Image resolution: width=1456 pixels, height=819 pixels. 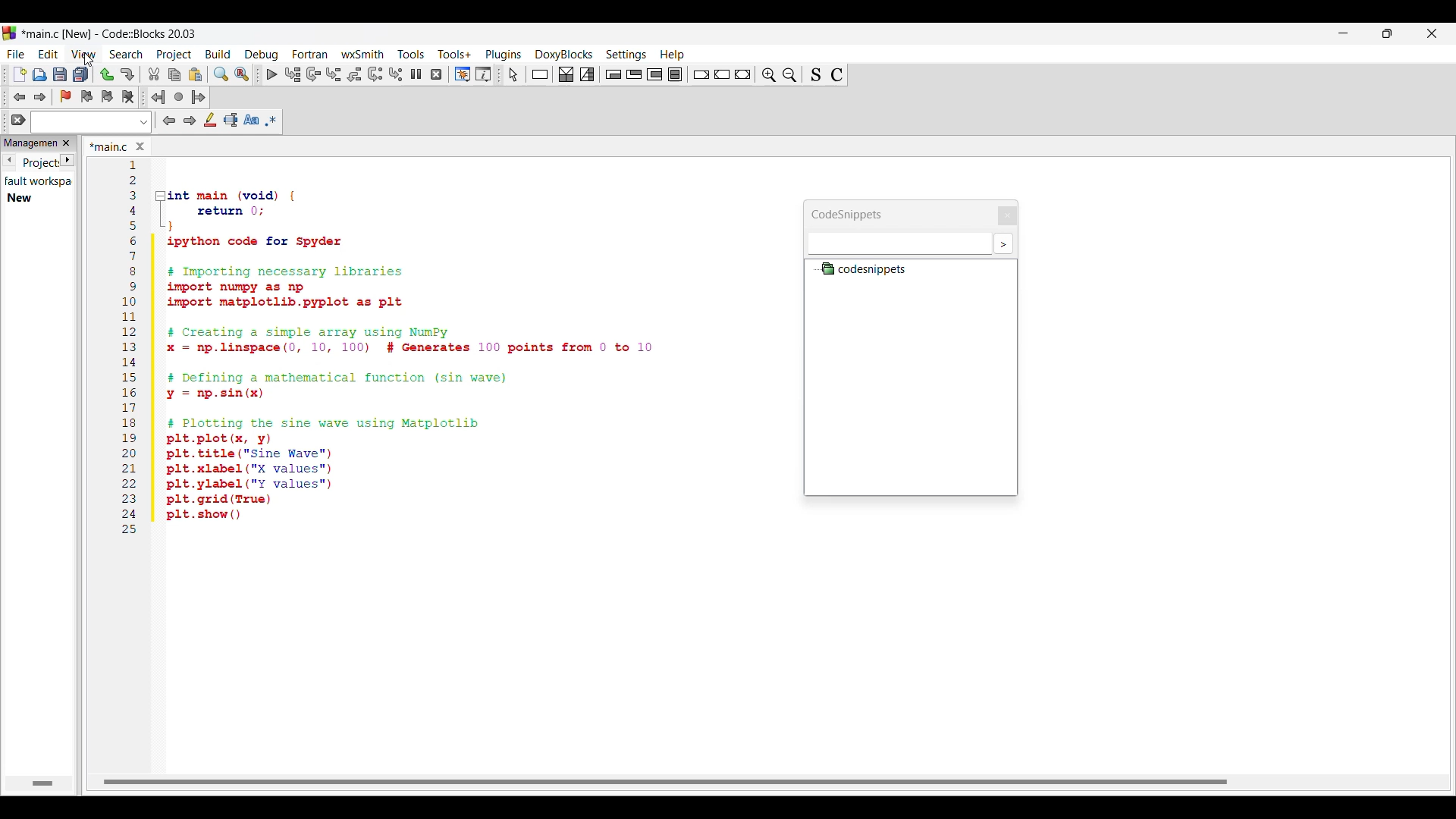 I want to click on Break debugger, so click(x=416, y=74).